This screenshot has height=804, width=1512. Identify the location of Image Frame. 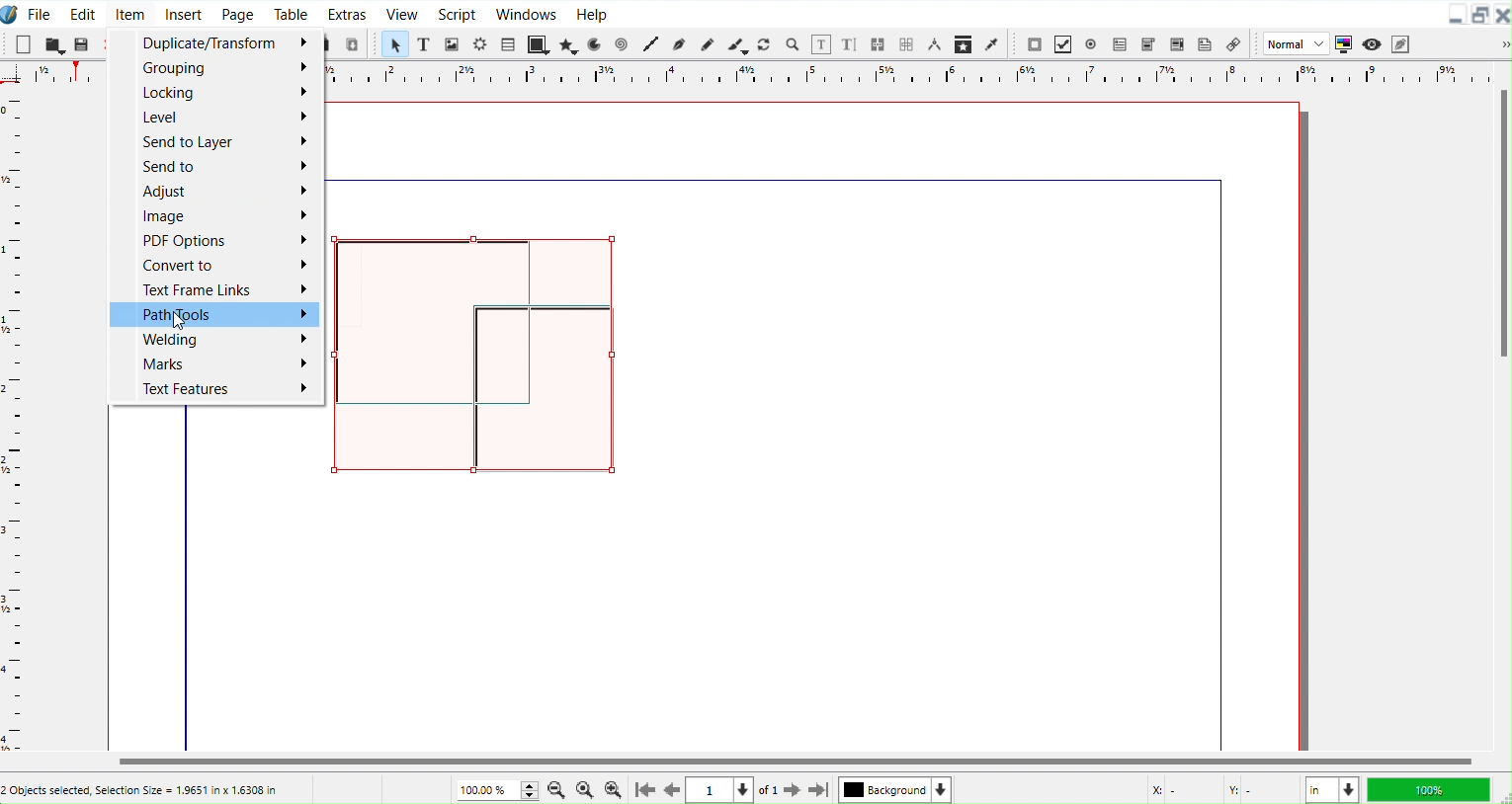
(453, 43).